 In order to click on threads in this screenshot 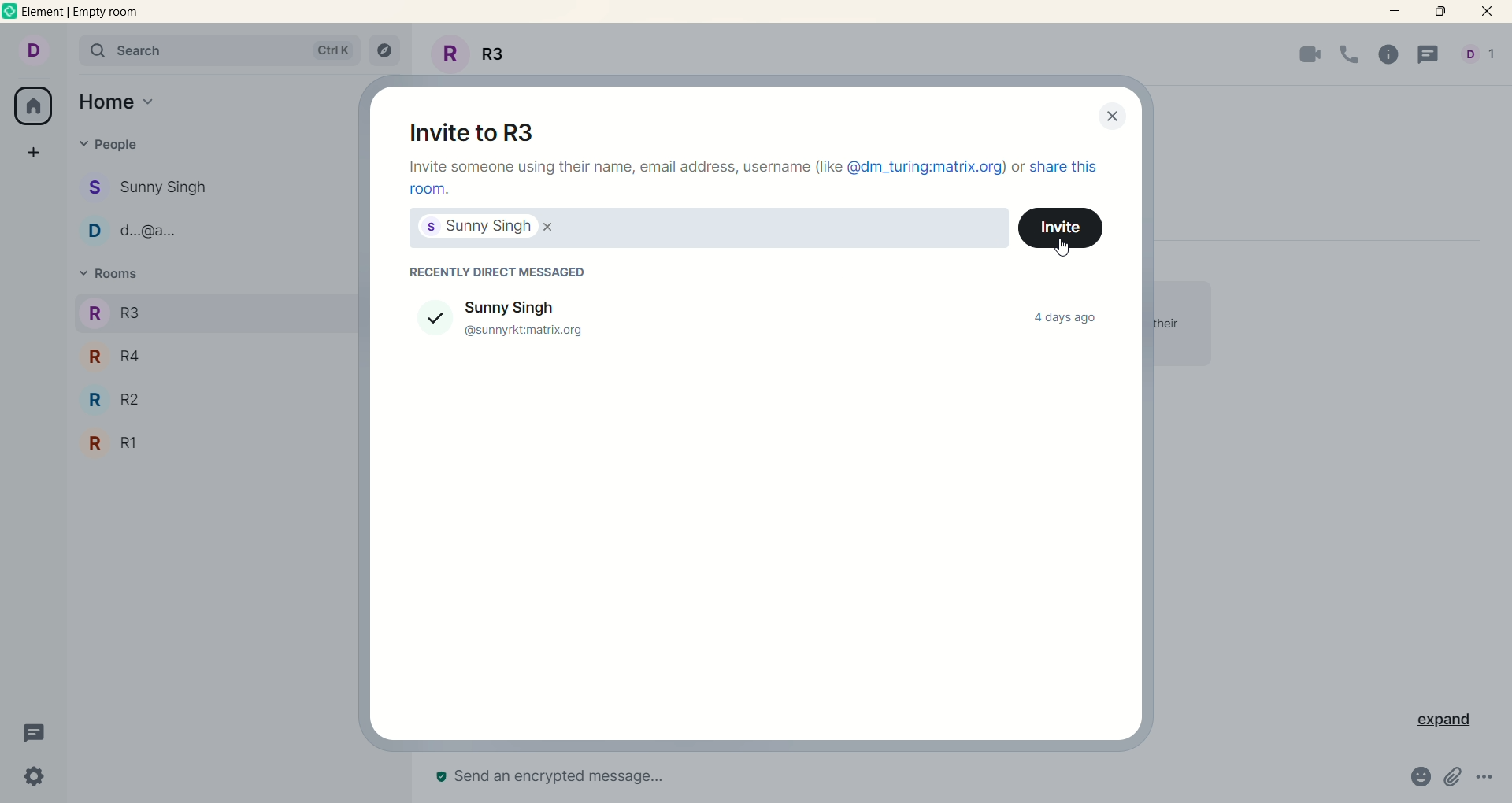, I will do `click(1432, 54)`.